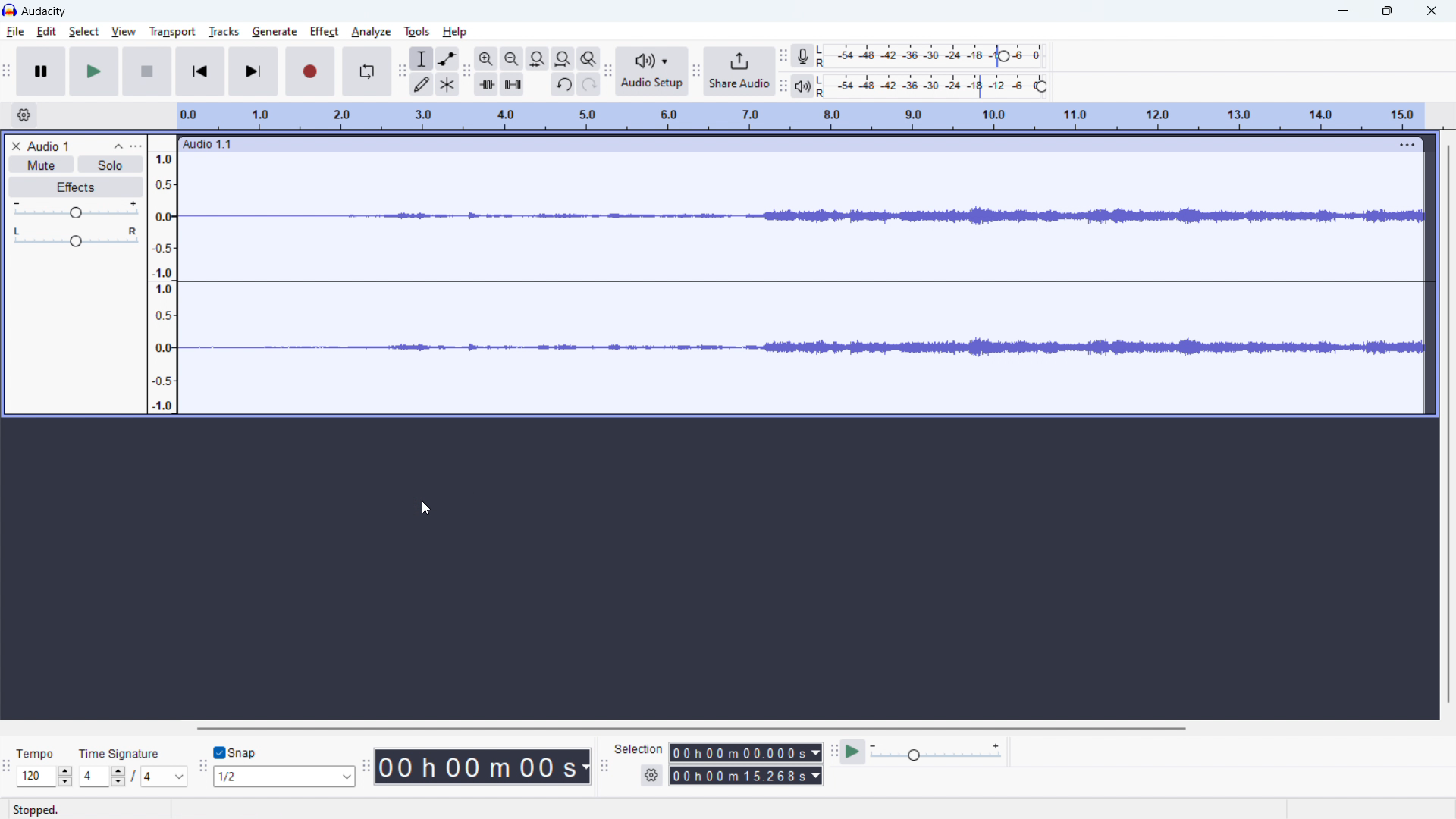 The height and width of the screenshot is (819, 1456). I want to click on fit project to width, so click(563, 58).